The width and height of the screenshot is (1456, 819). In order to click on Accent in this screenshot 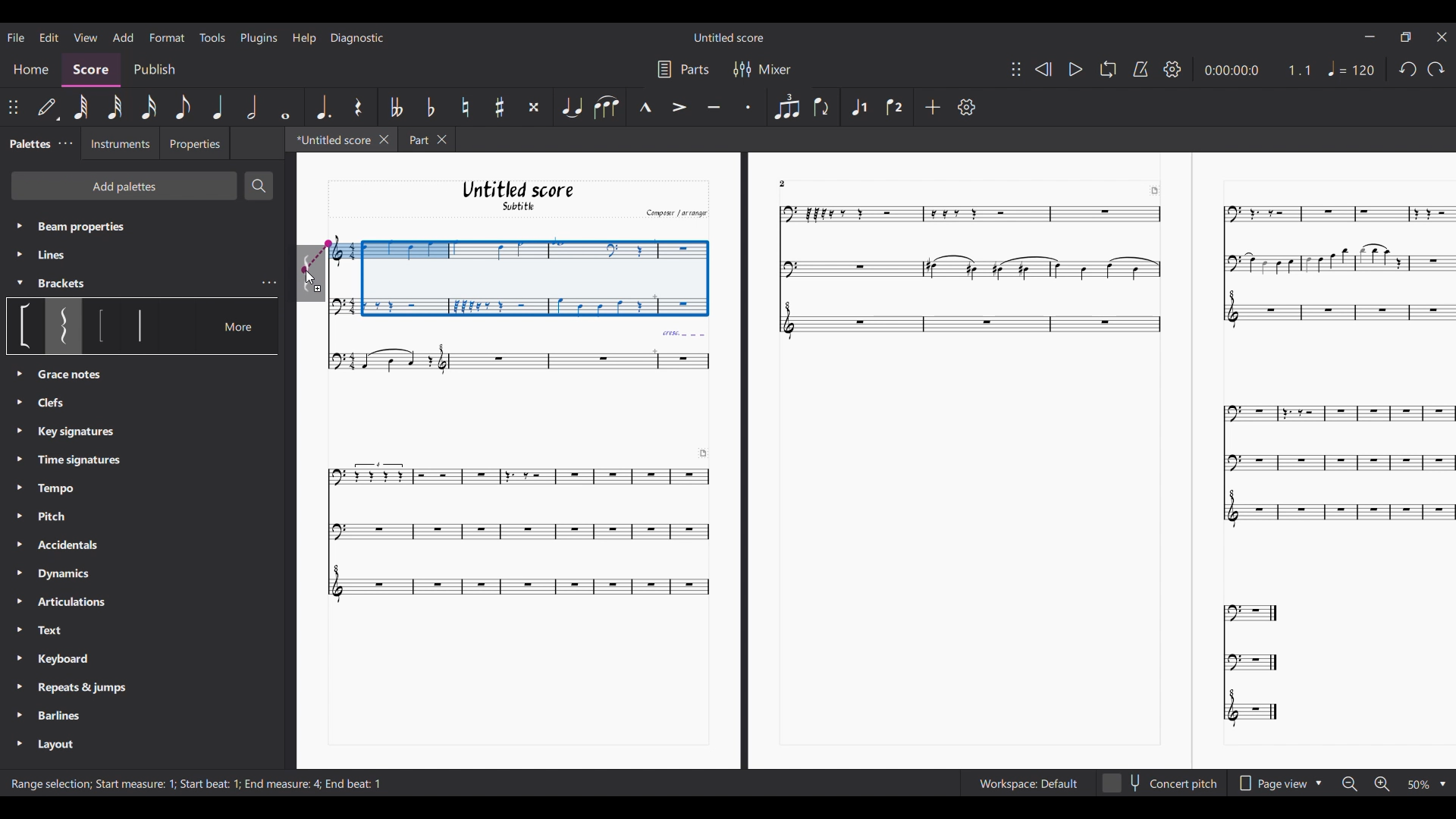, I will do `click(679, 107)`.